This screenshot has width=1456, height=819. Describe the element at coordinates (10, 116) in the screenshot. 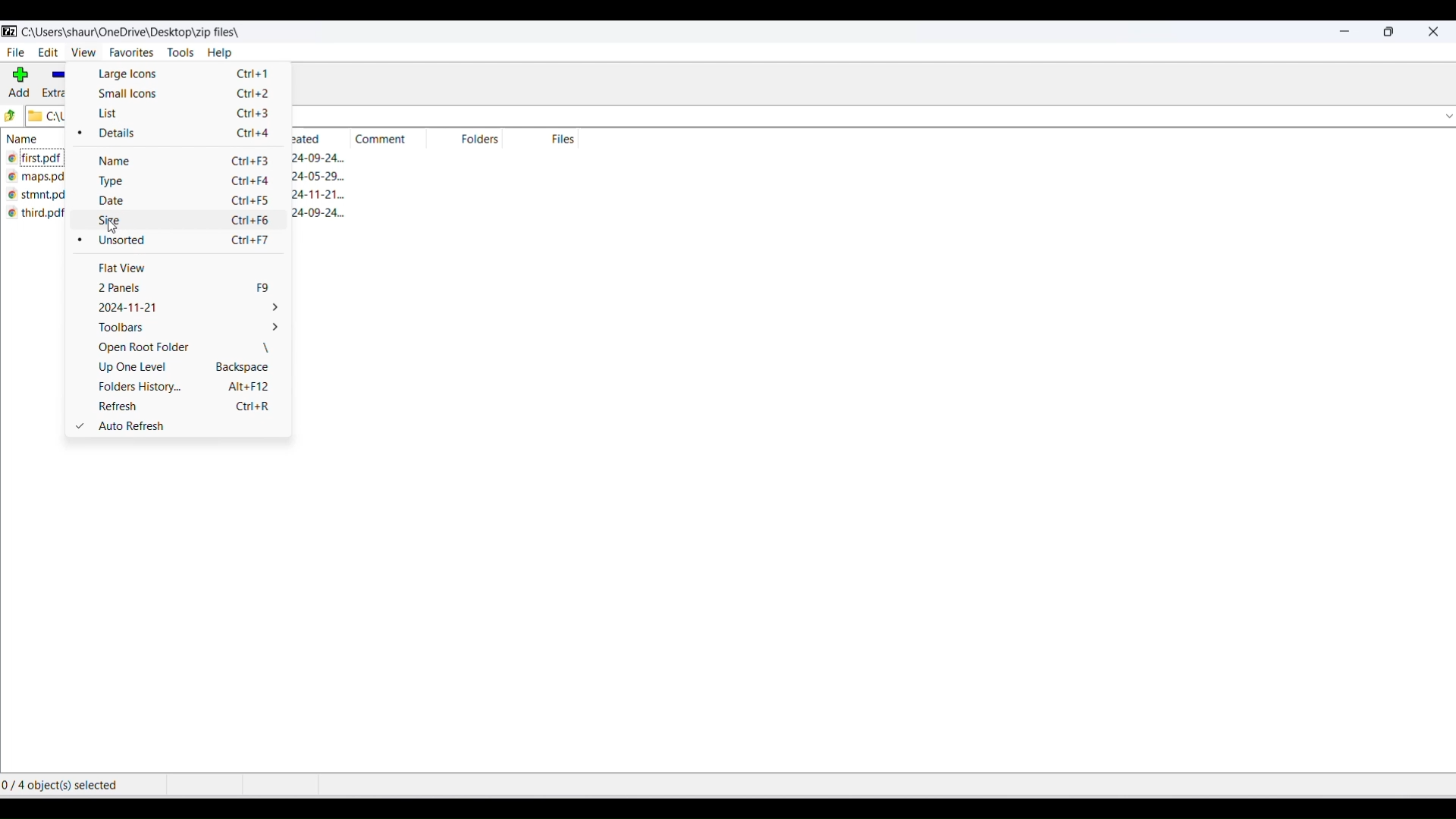

I see `previous paths` at that location.